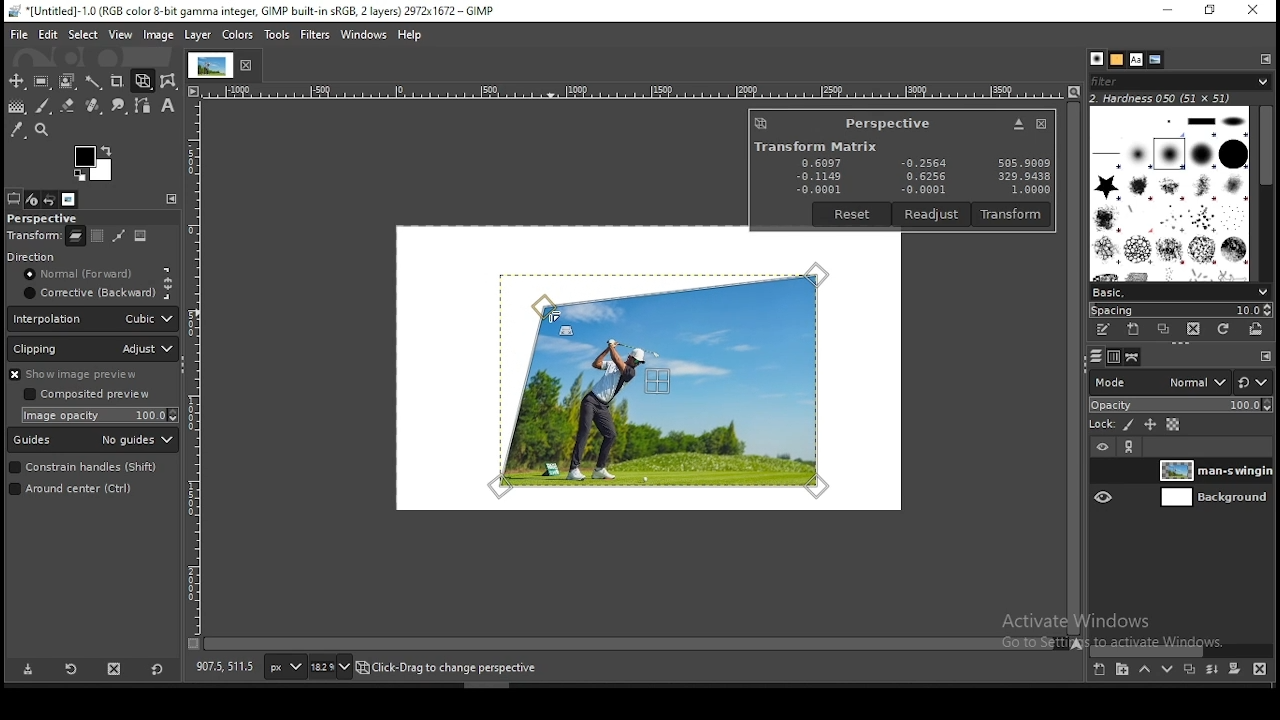  What do you see at coordinates (209, 65) in the screenshot?
I see `tab` at bounding box center [209, 65].